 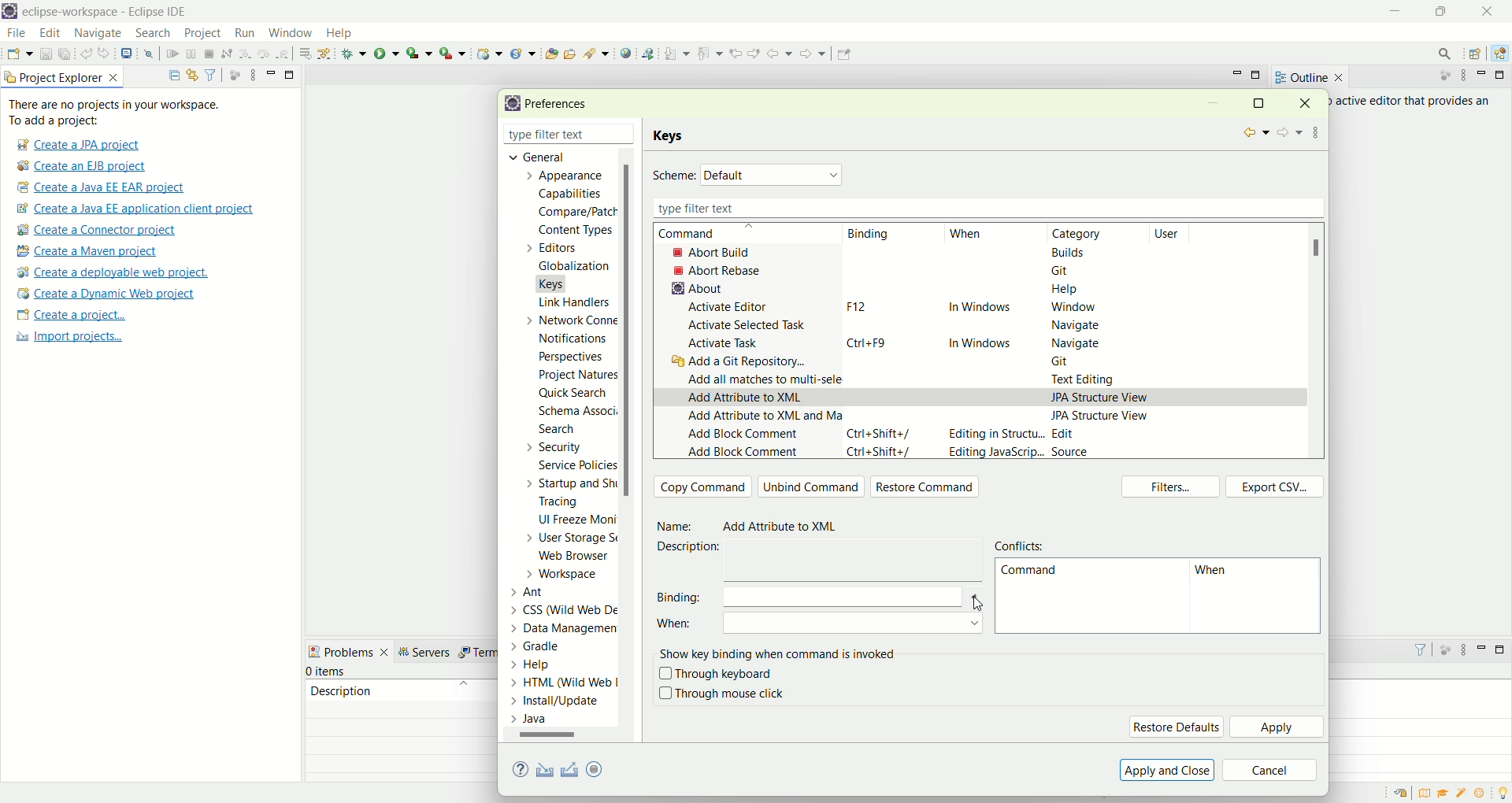 What do you see at coordinates (1310, 102) in the screenshot?
I see `close` at bounding box center [1310, 102].